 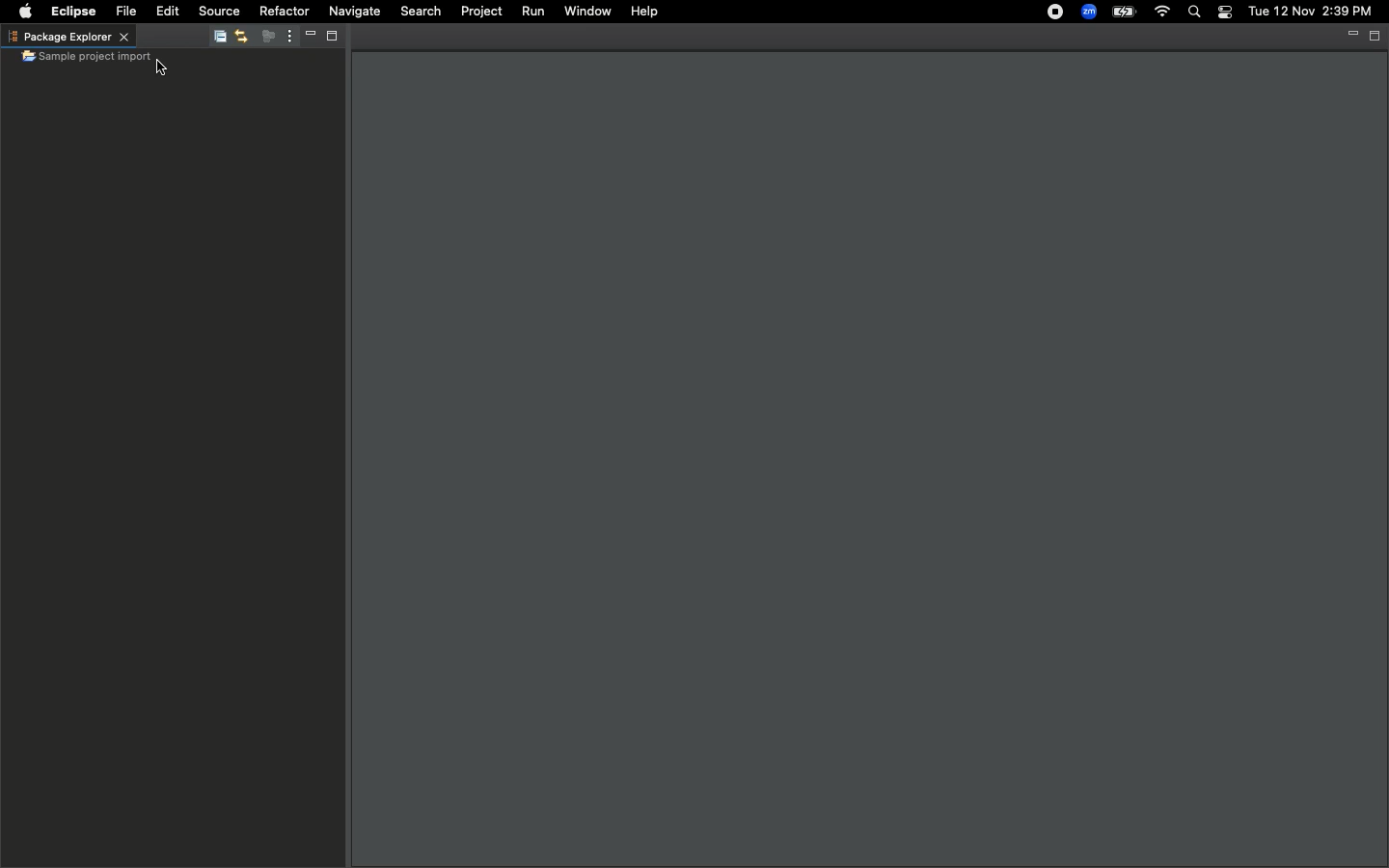 What do you see at coordinates (217, 11) in the screenshot?
I see `Source` at bounding box center [217, 11].